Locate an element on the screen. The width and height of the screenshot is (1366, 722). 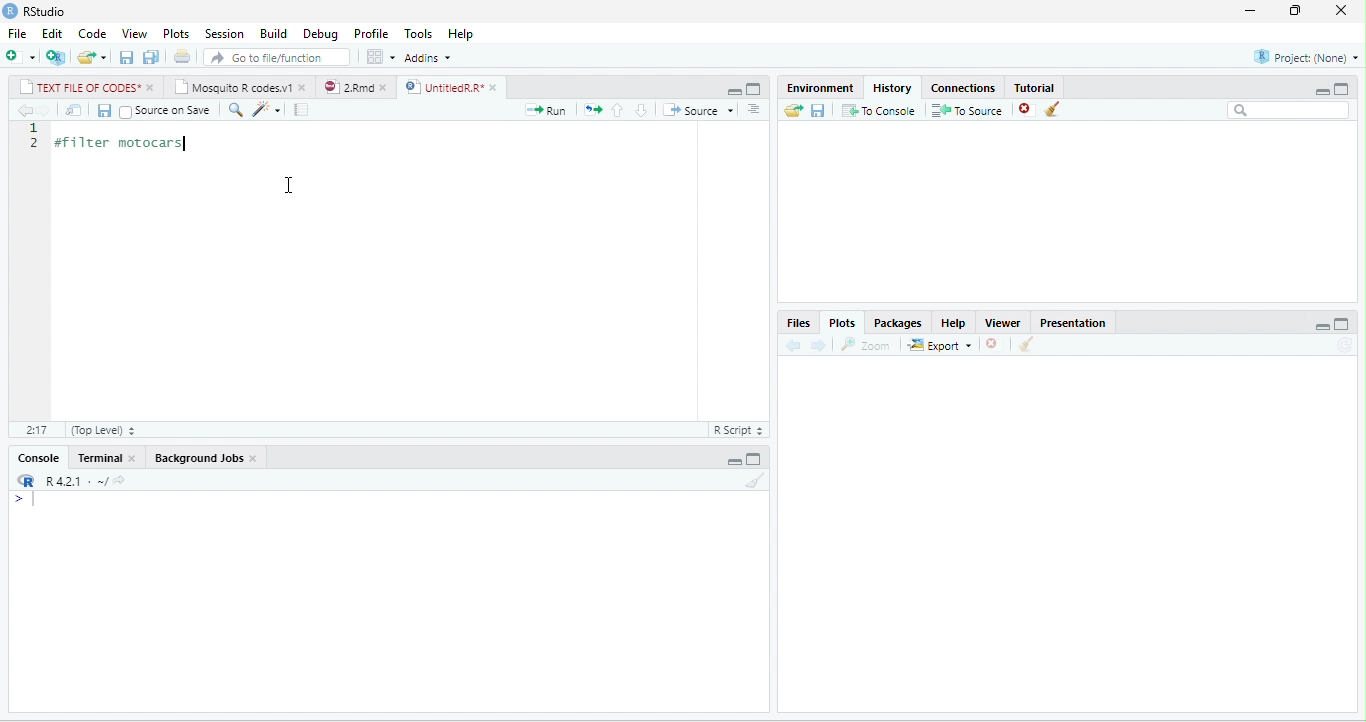
minimize is located at coordinates (734, 461).